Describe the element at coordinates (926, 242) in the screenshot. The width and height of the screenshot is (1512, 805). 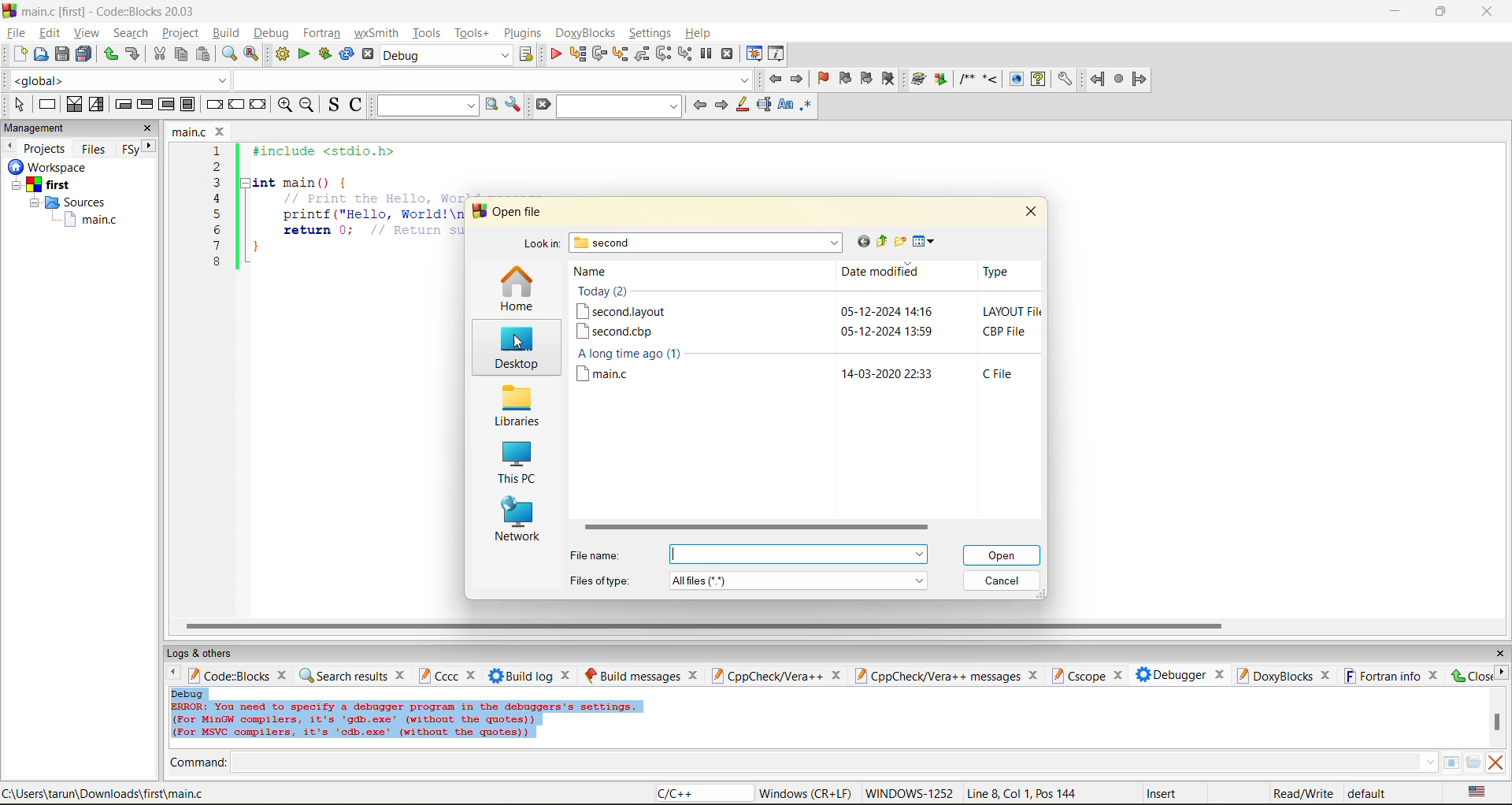
I see `view menu` at that location.